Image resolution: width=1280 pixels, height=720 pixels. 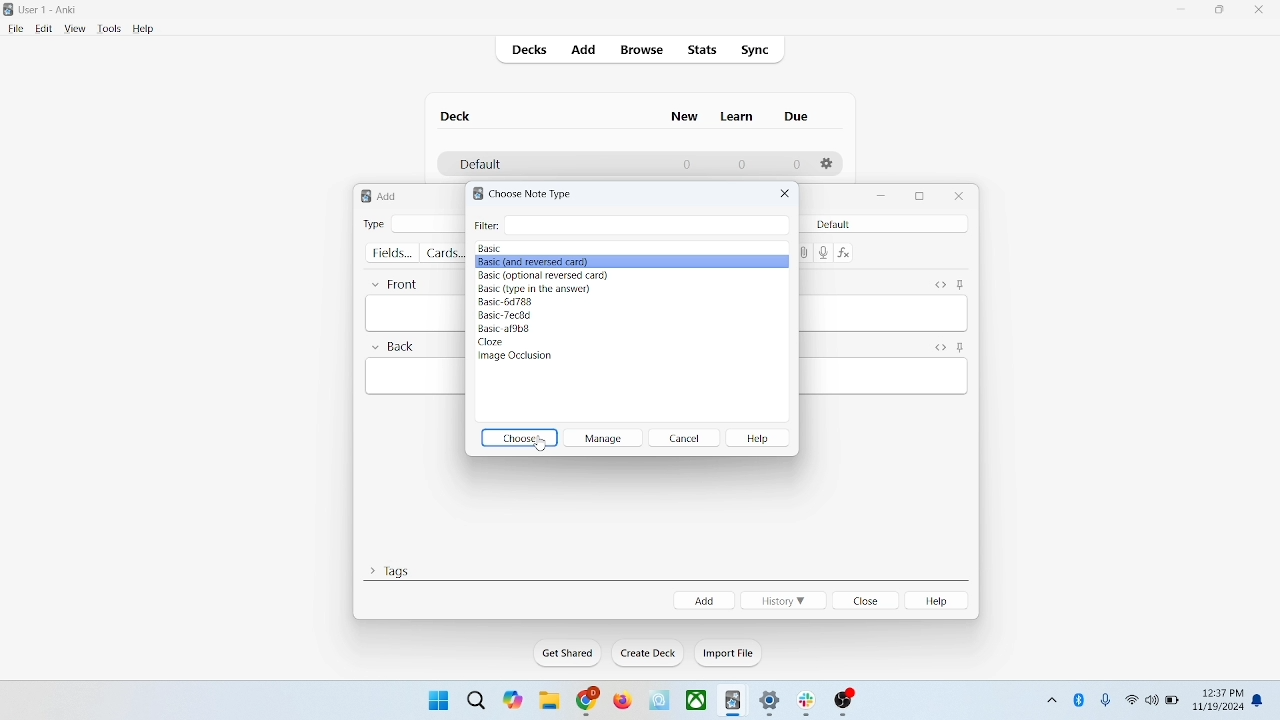 I want to click on decks, so click(x=532, y=52).